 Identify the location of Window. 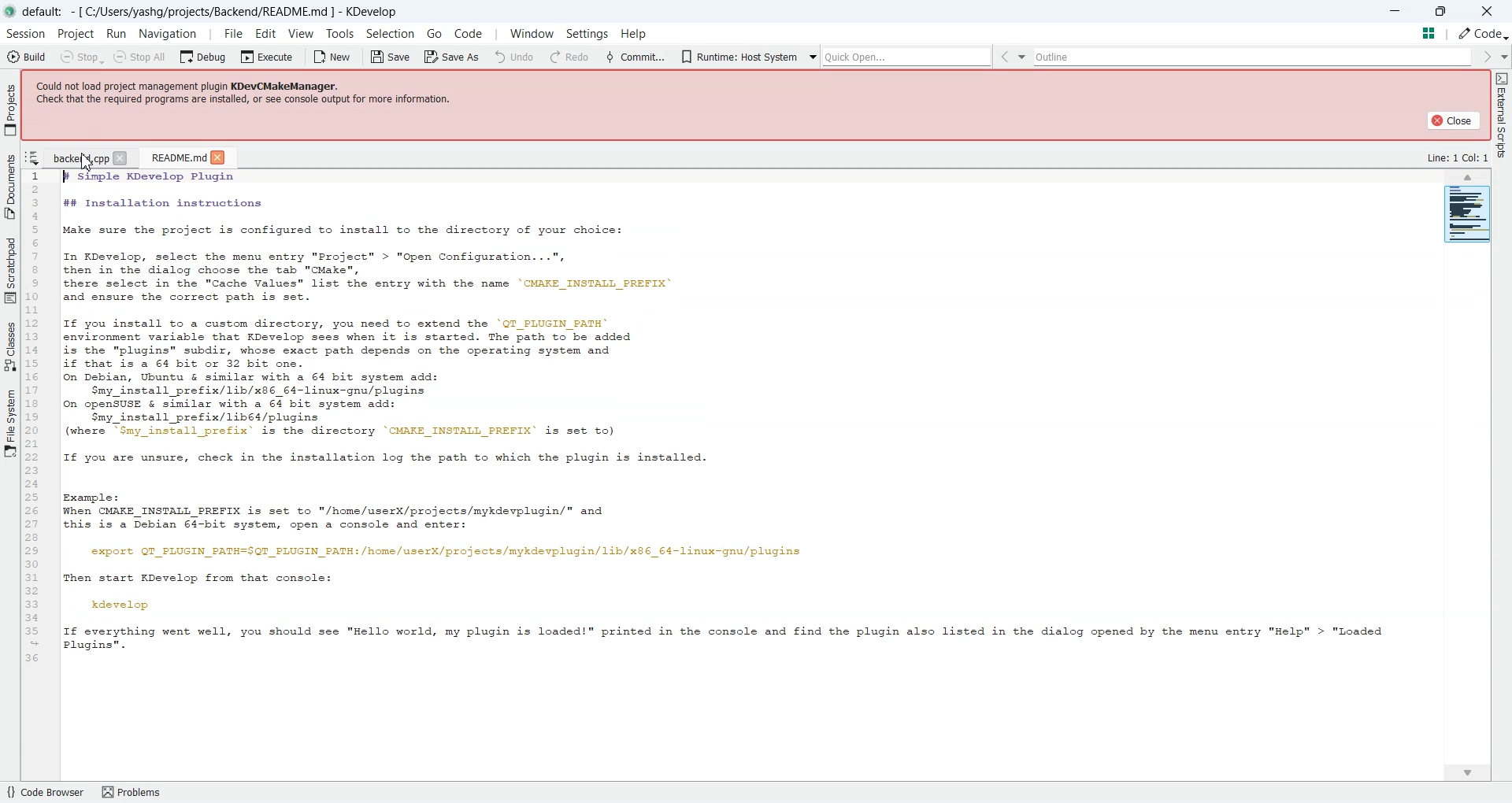
(528, 34).